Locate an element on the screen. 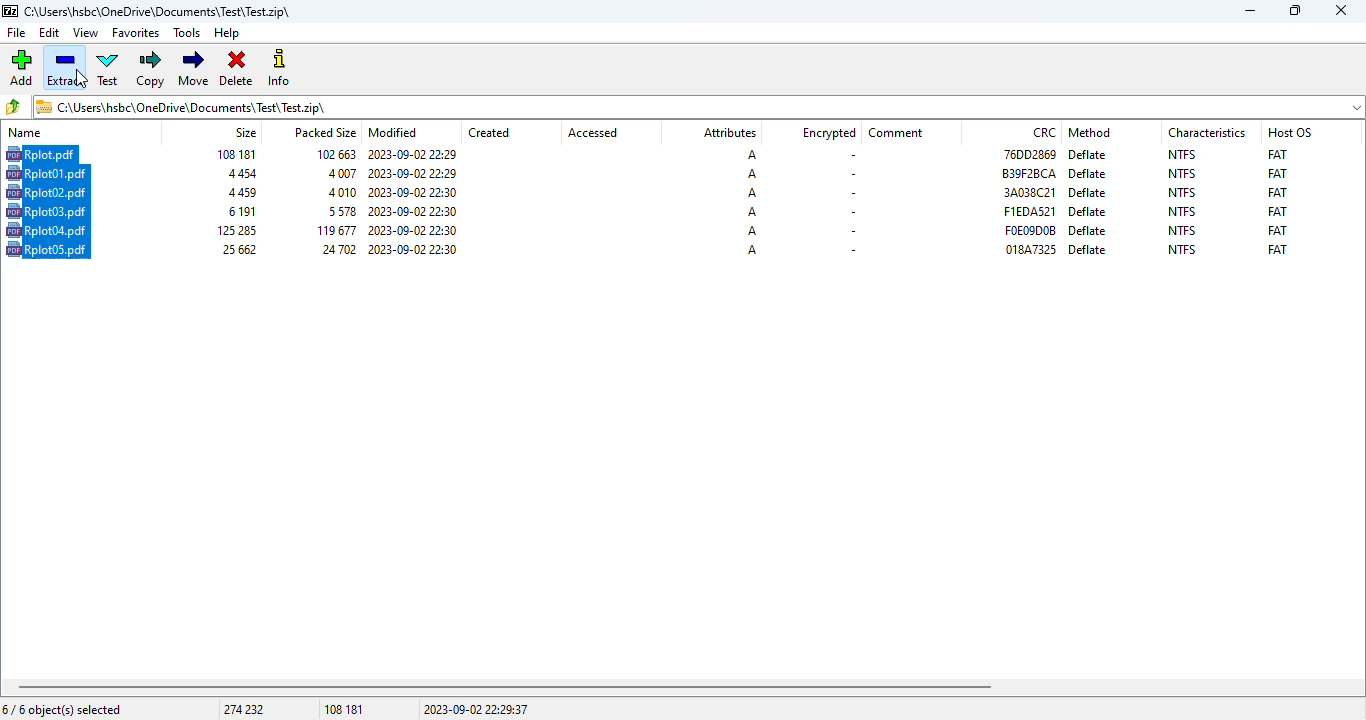 Image resolution: width=1366 pixels, height=720 pixels. deflate is located at coordinates (1088, 192).